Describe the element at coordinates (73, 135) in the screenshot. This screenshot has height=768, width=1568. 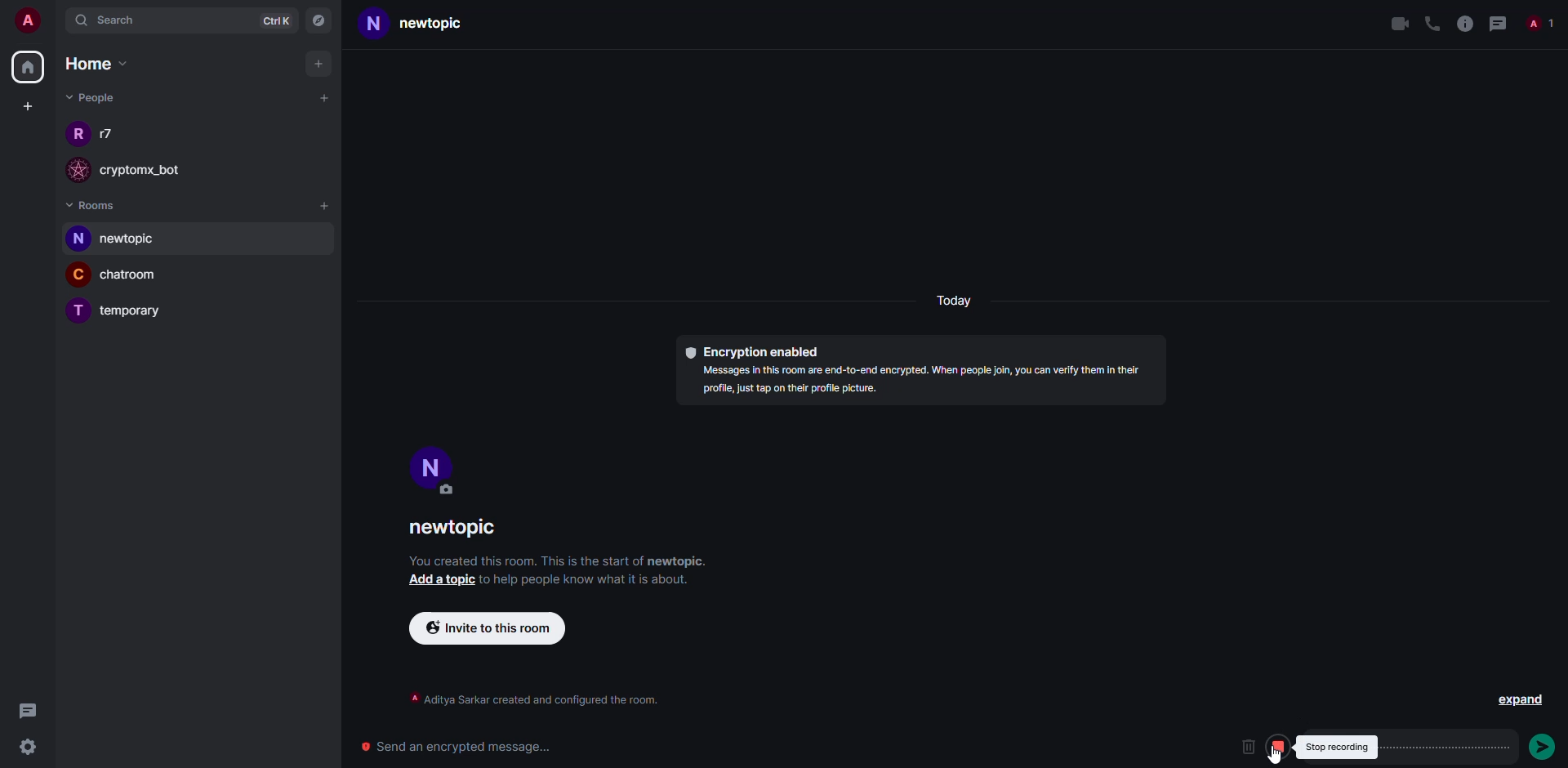
I see `R` at that location.